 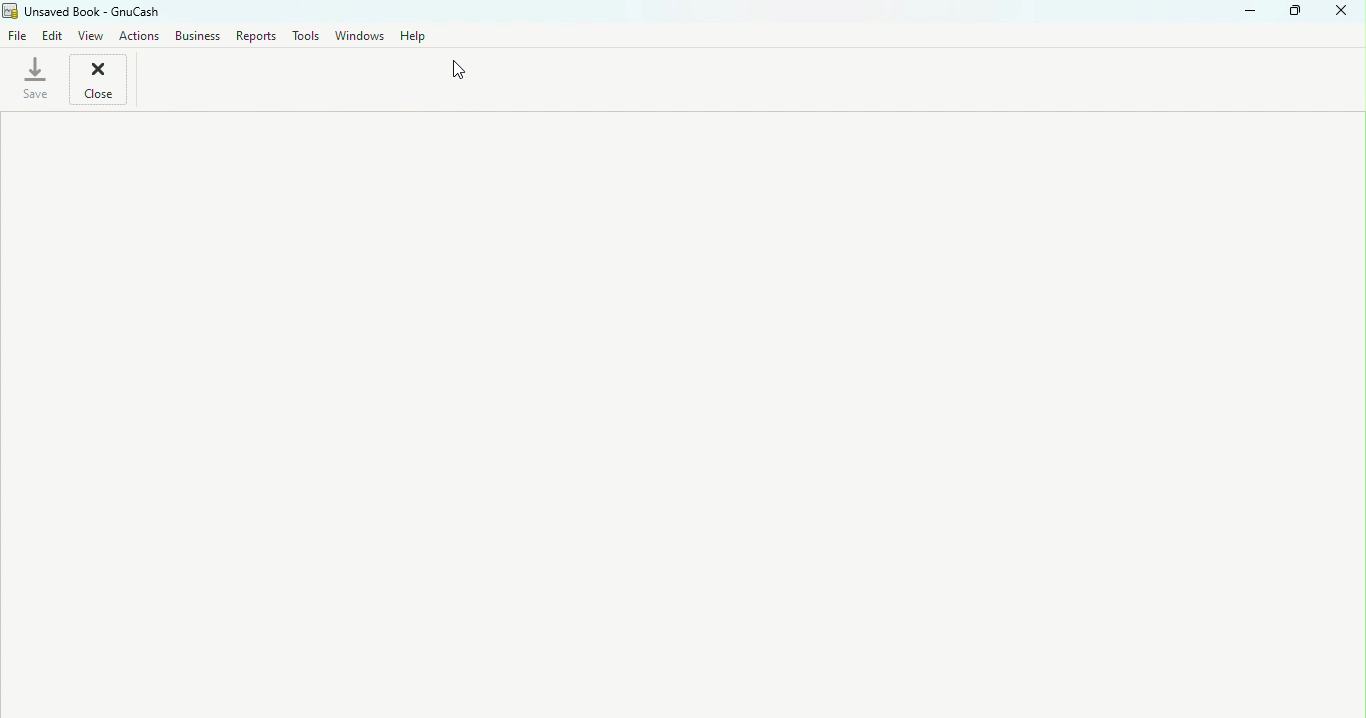 I want to click on Save, so click(x=38, y=83).